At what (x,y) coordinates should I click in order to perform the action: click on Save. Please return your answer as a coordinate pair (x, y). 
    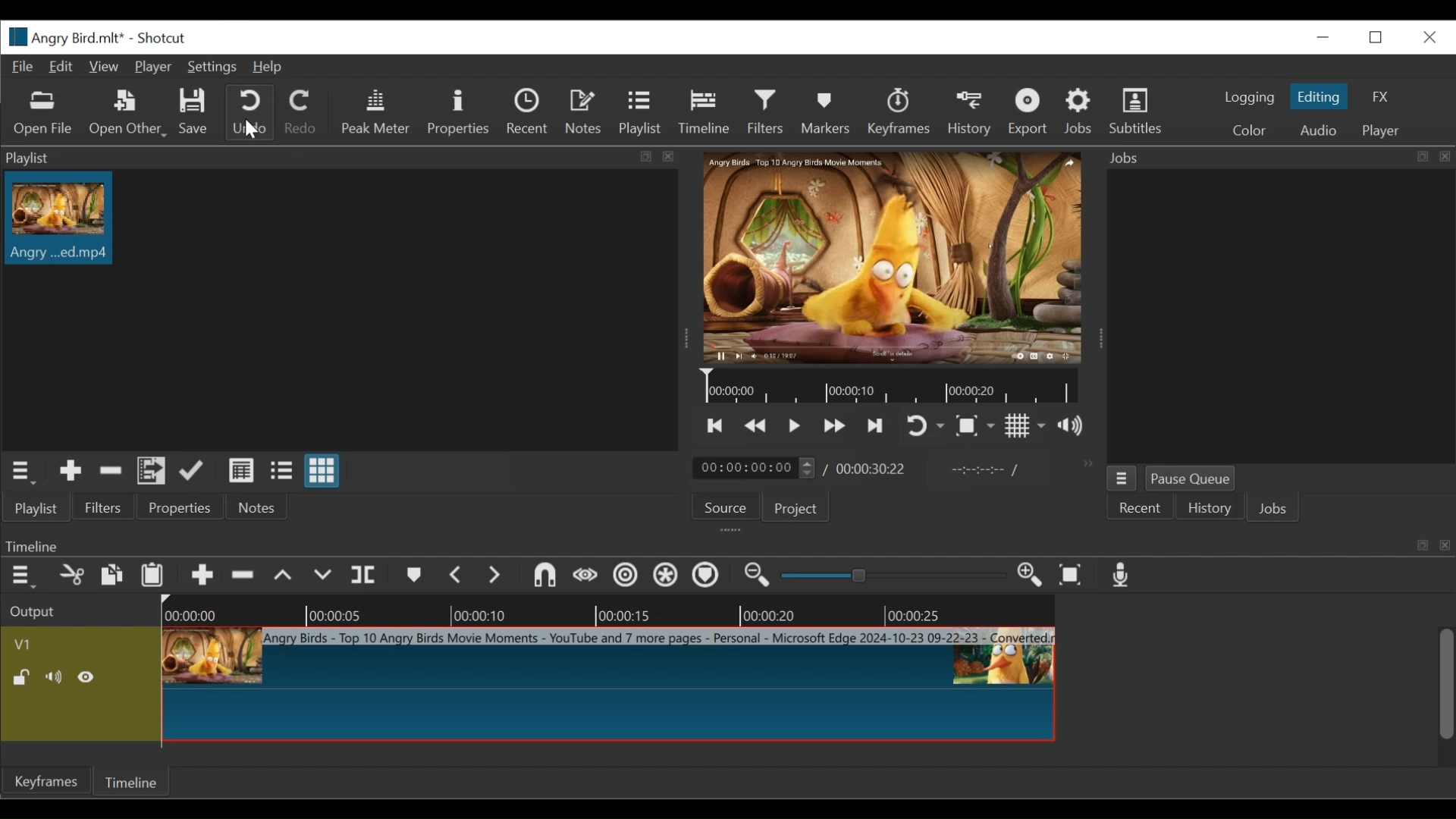
    Looking at the image, I should click on (194, 112).